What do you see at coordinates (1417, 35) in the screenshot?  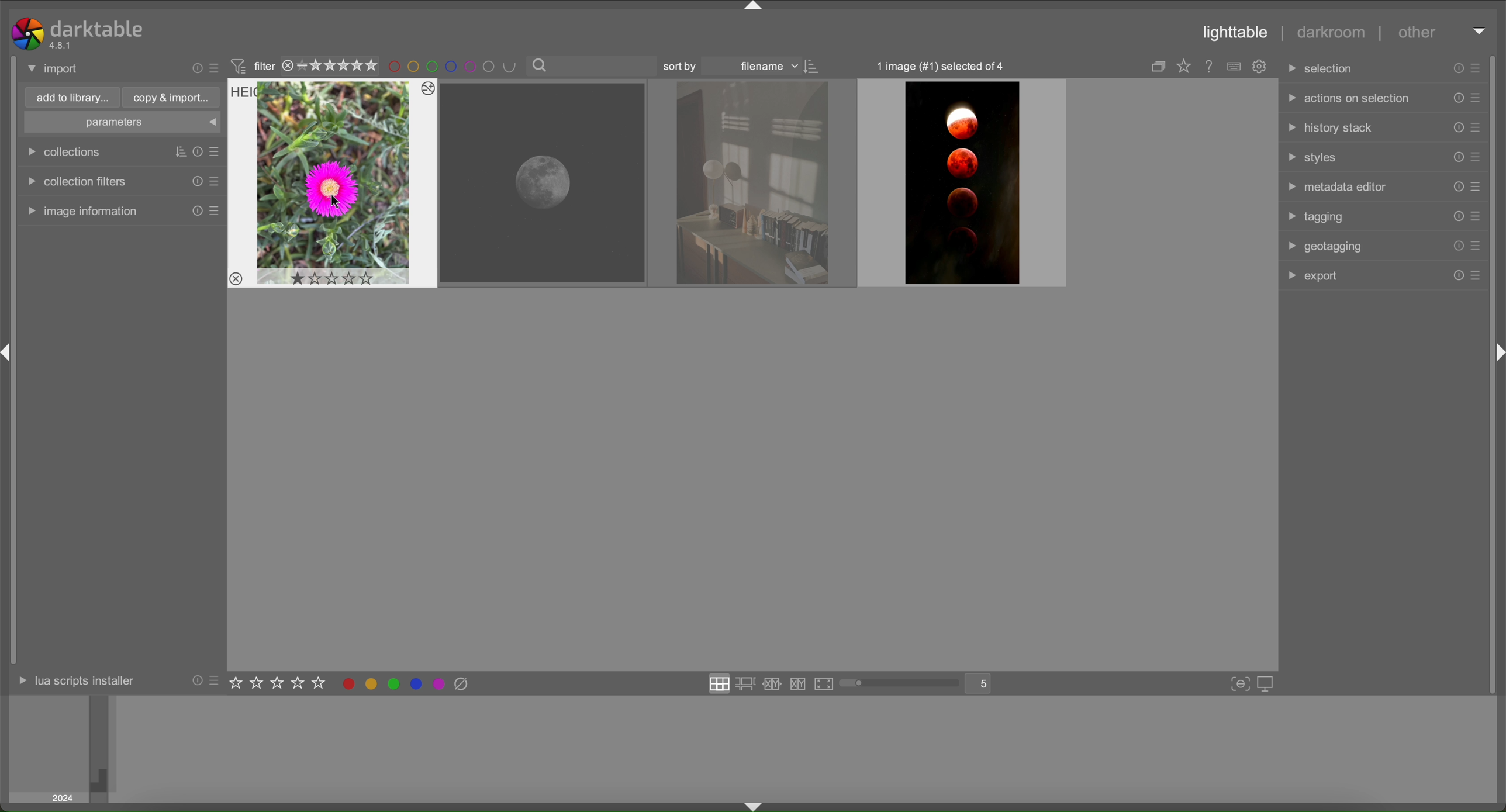 I see `other` at bounding box center [1417, 35].